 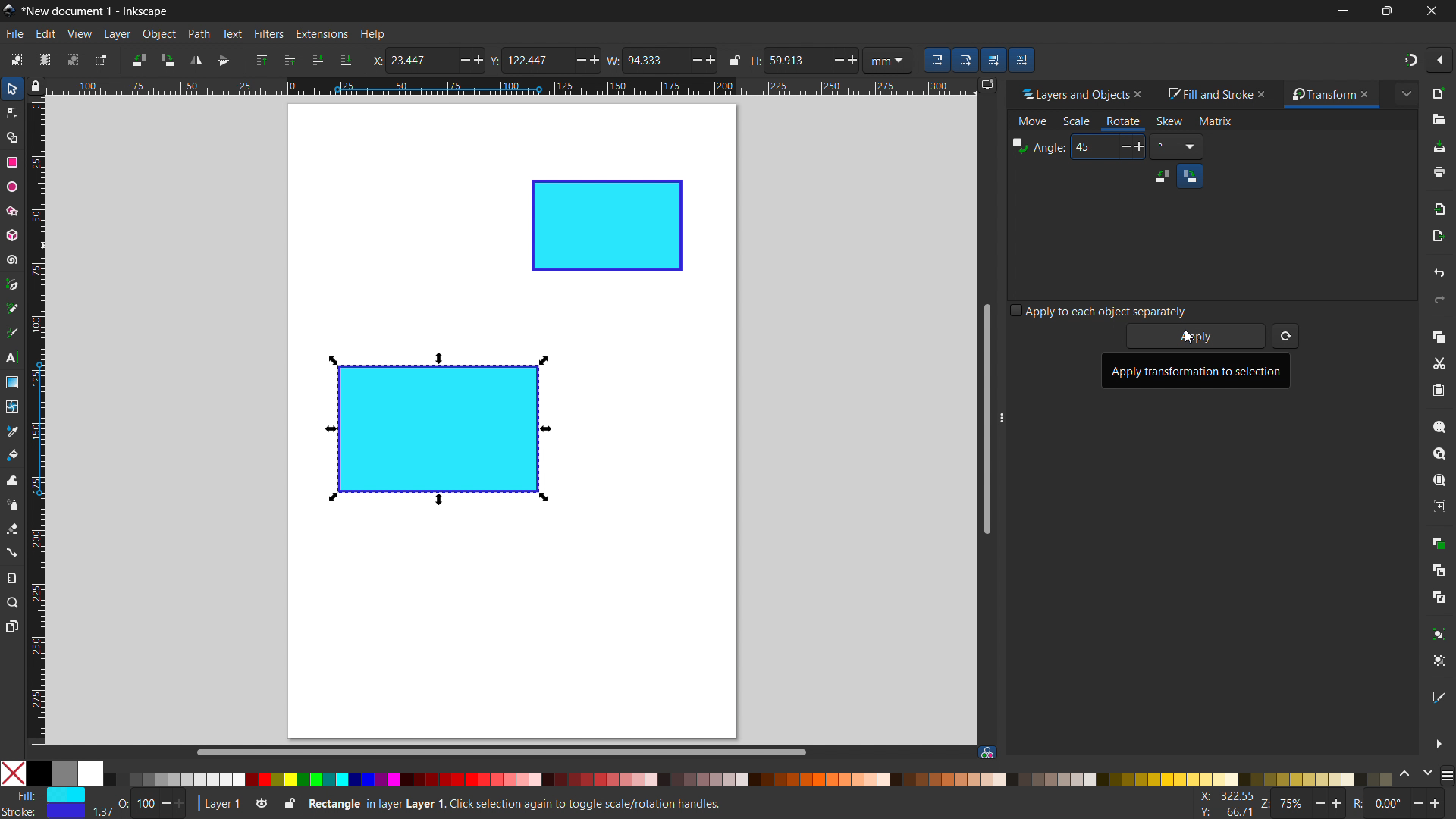 I want to click on new, so click(x=1440, y=93).